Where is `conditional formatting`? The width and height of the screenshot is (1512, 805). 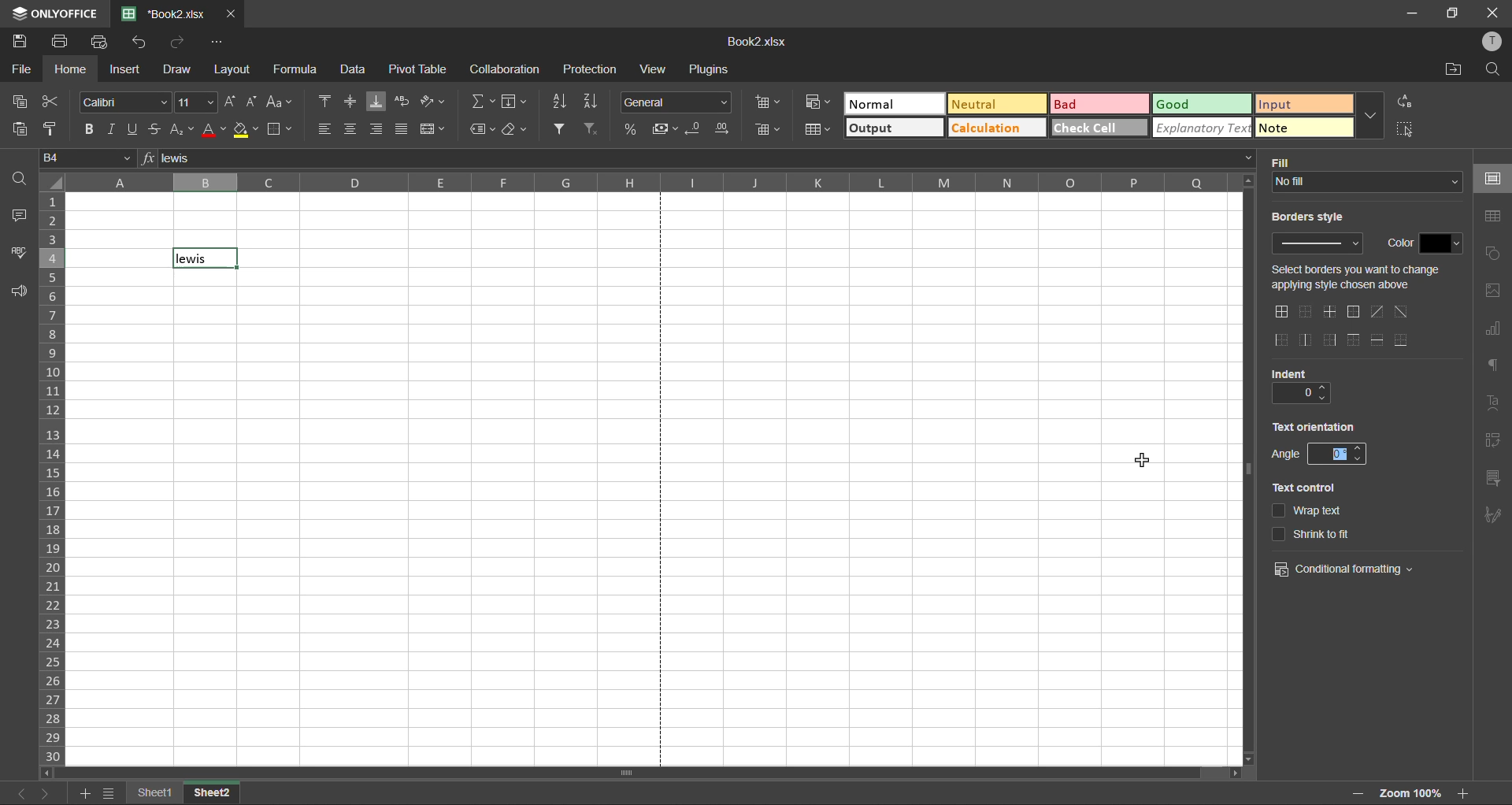 conditional formatting is located at coordinates (1346, 569).